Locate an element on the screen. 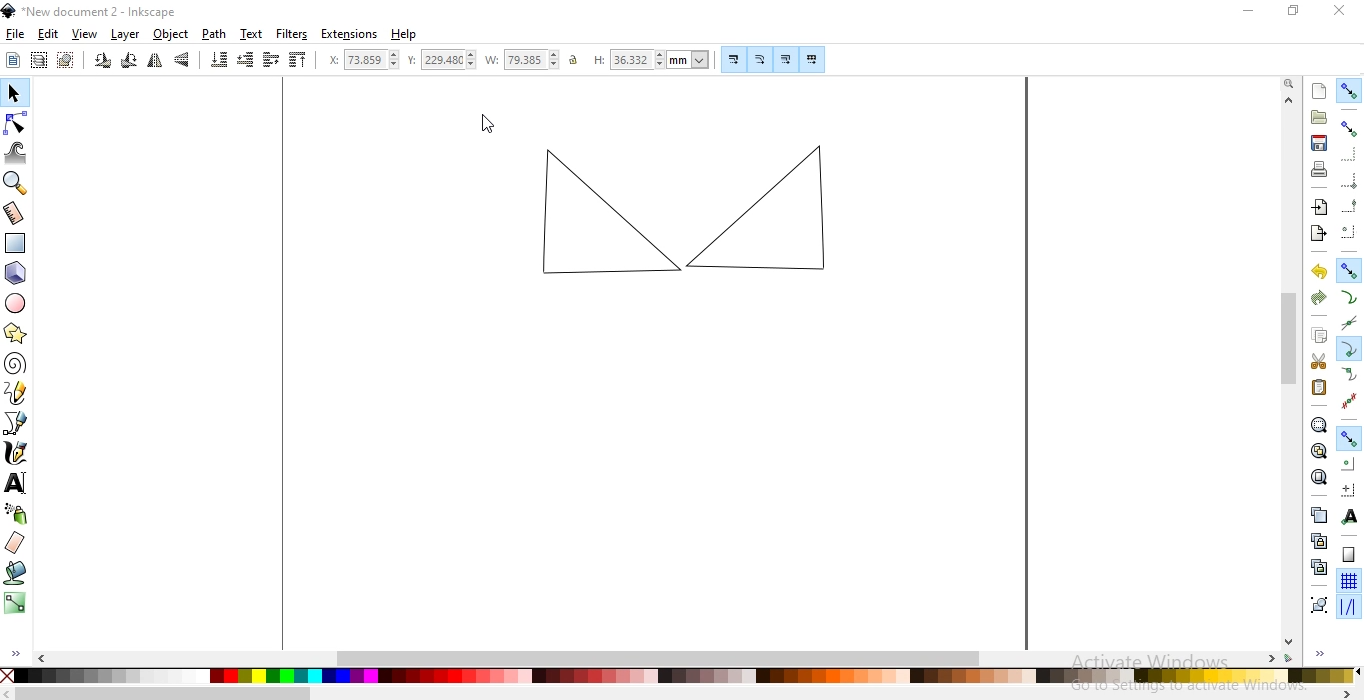  scrollbar is located at coordinates (656, 660).